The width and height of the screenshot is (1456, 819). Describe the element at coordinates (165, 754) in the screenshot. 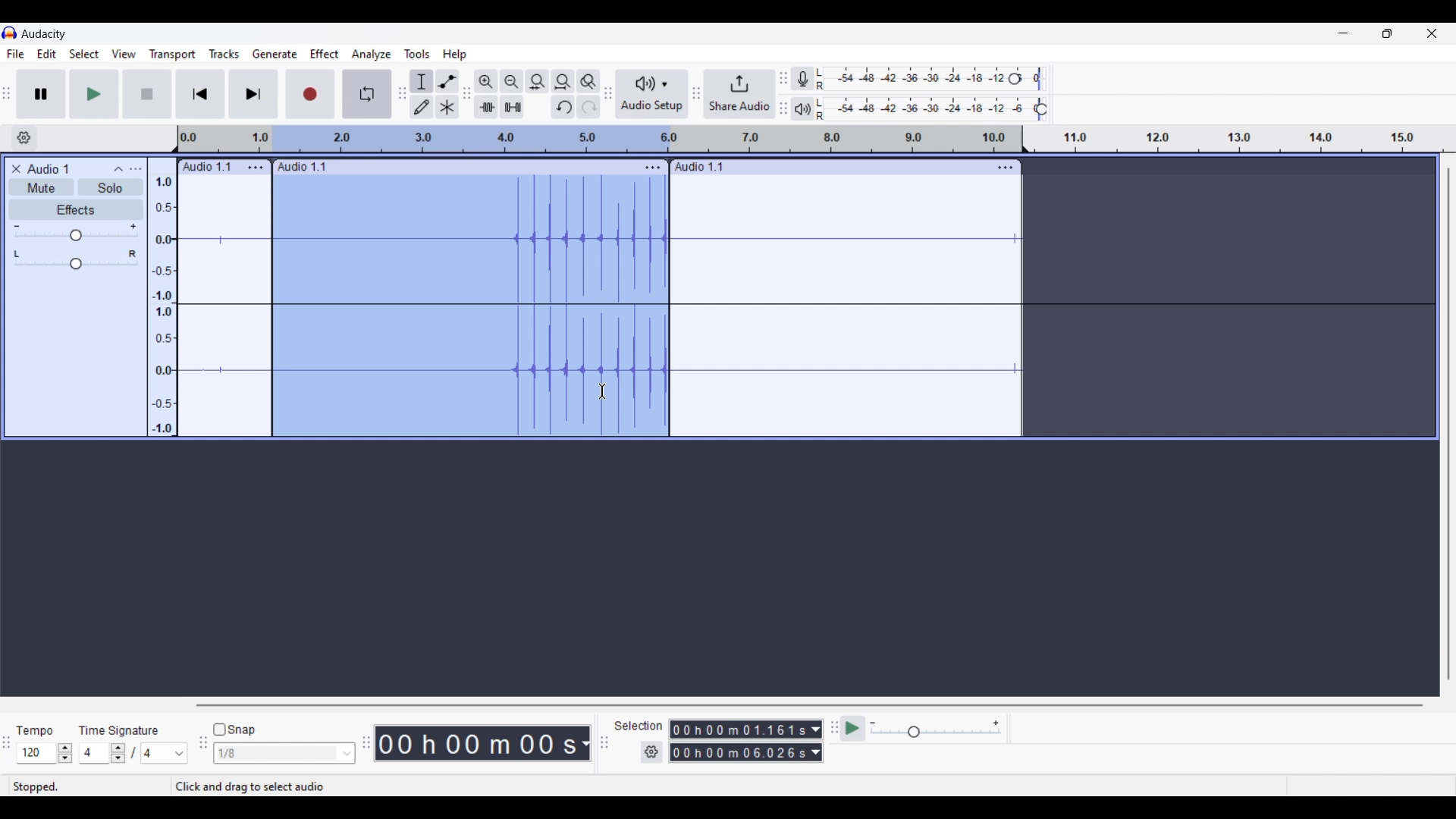

I see `Time signature options` at that location.